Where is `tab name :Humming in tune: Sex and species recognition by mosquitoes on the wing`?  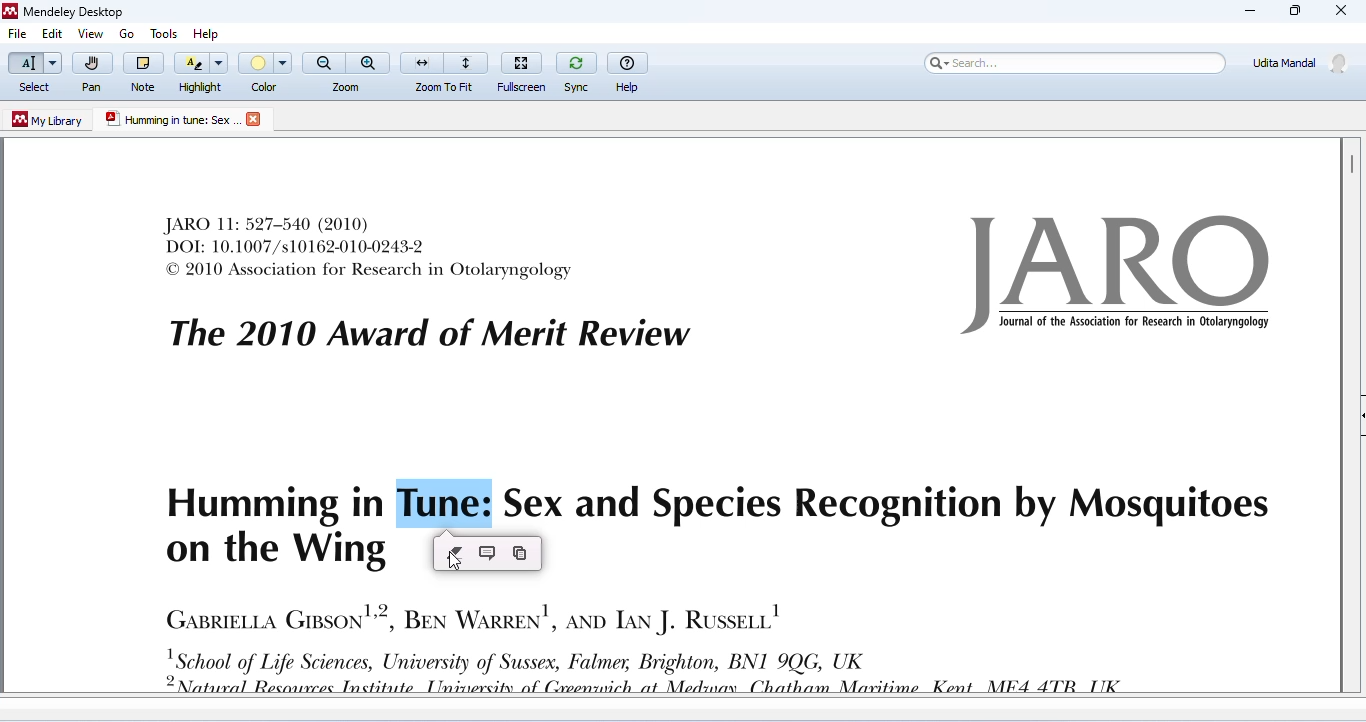 tab name :Humming in tune: Sex and species recognition by mosquitoes on the wing is located at coordinates (171, 120).